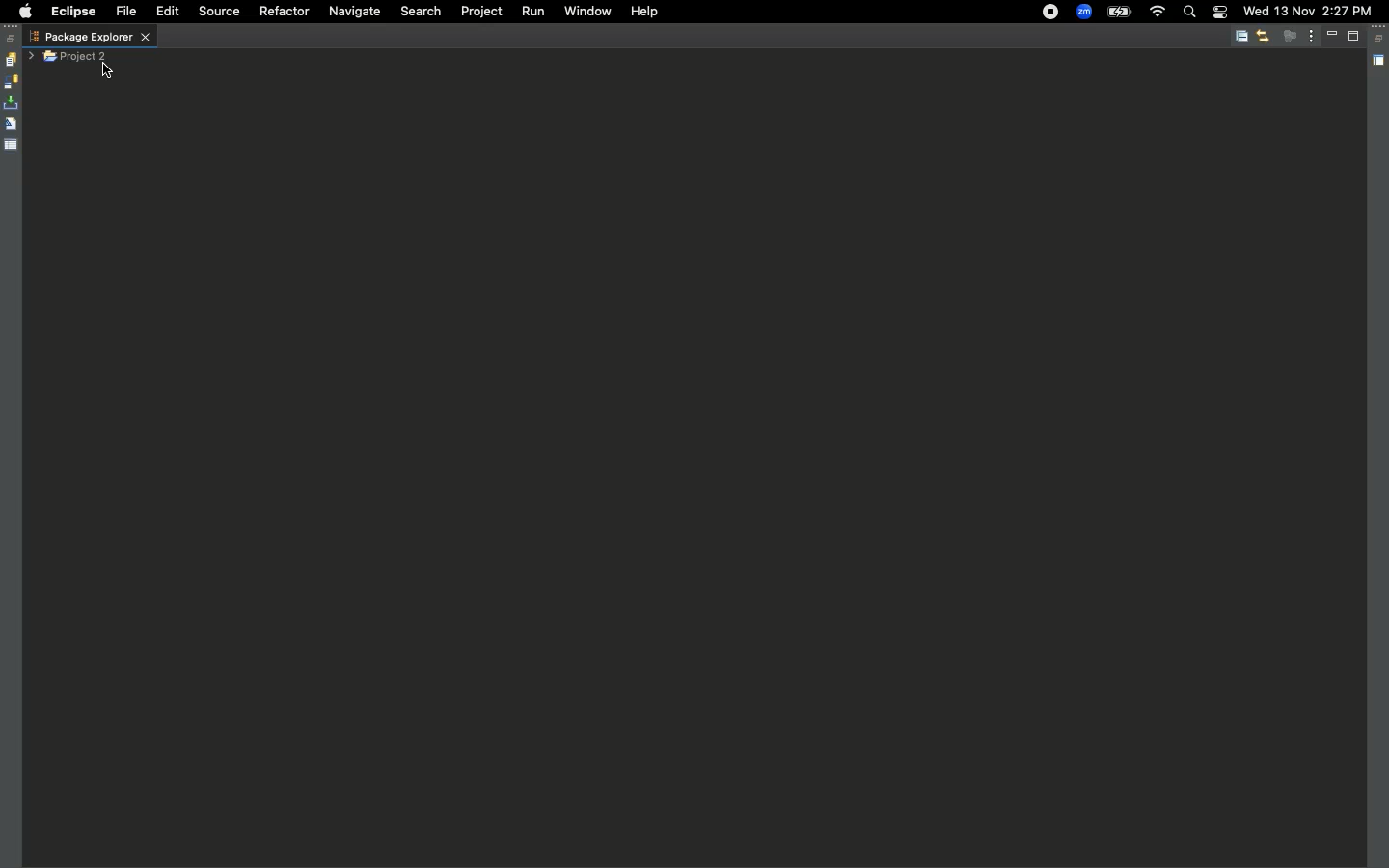  What do you see at coordinates (1051, 12) in the screenshot?
I see `Recording` at bounding box center [1051, 12].